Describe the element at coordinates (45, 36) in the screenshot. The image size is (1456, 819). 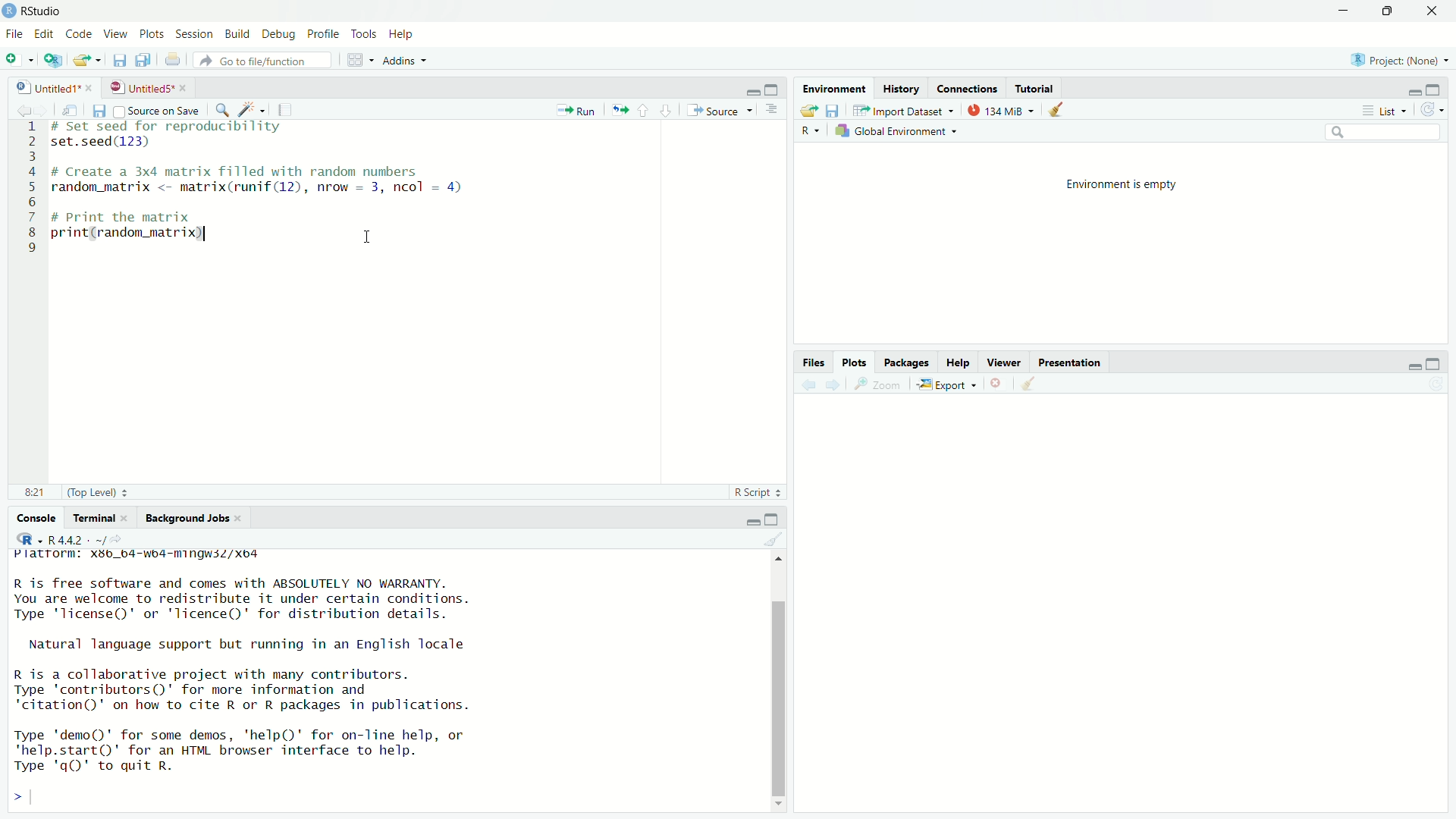
I see `Edit` at that location.